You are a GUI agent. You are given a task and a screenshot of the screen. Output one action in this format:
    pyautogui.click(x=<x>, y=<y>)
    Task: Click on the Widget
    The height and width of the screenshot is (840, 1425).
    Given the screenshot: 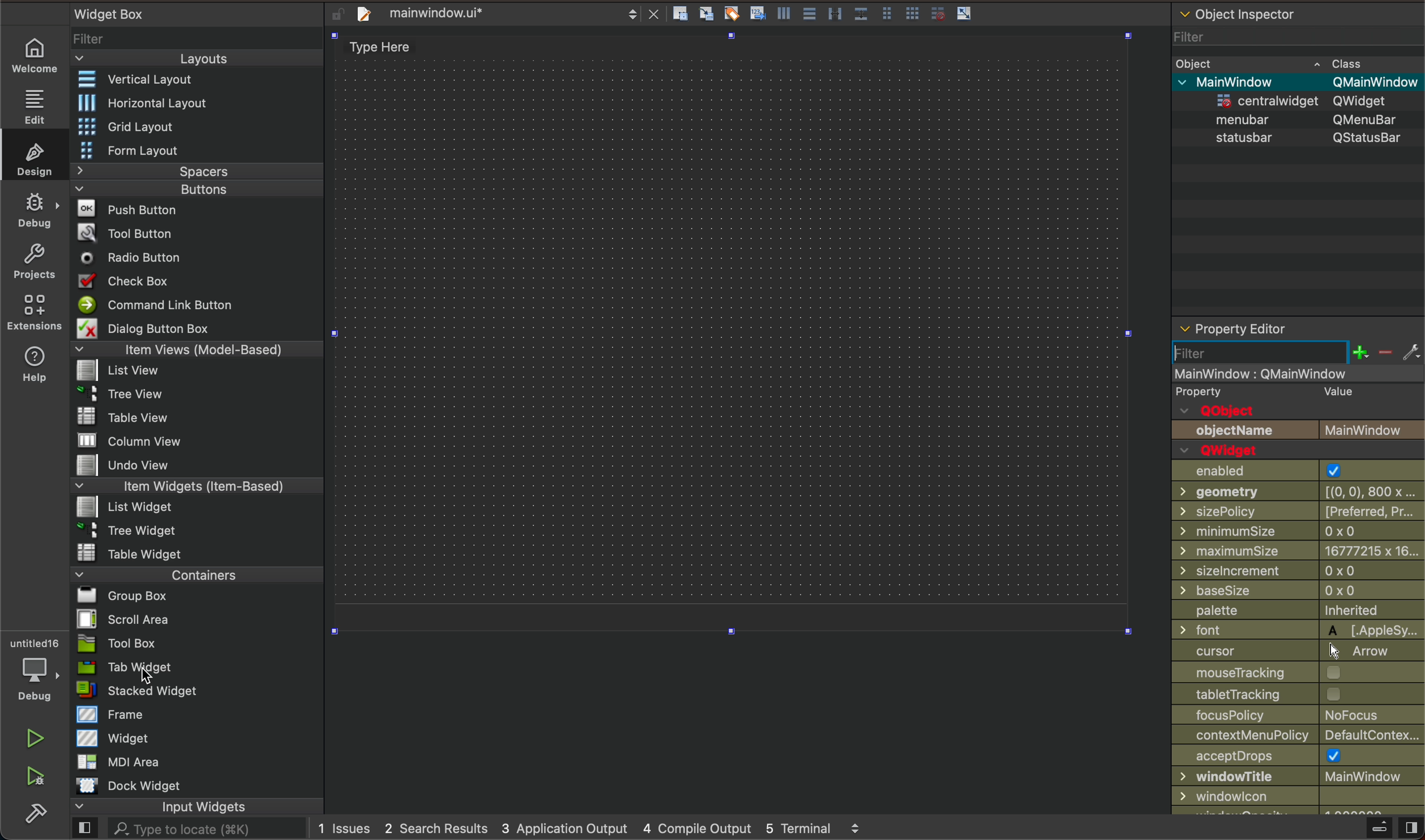 What is the action you would take?
    pyautogui.click(x=114, y=738)
    